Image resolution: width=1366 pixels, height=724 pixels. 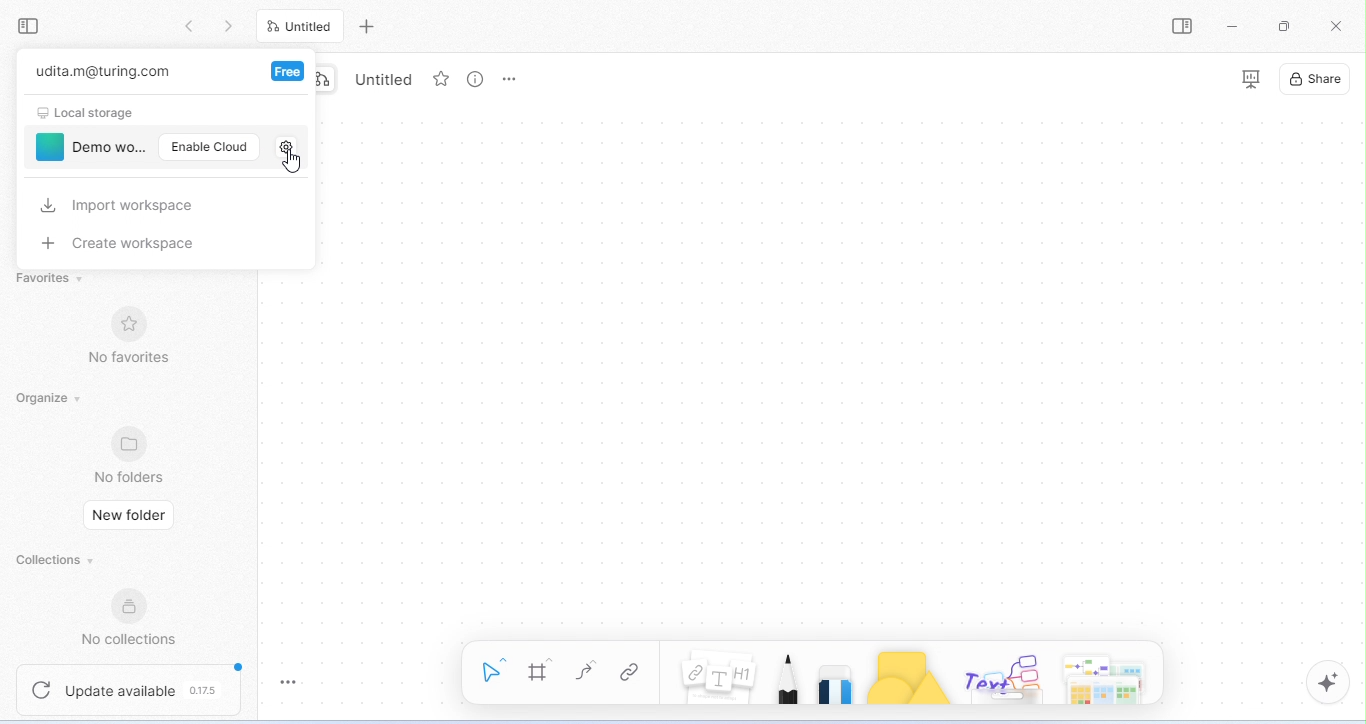 I want to click on open or close side bar, so click(x=1182, y=26).